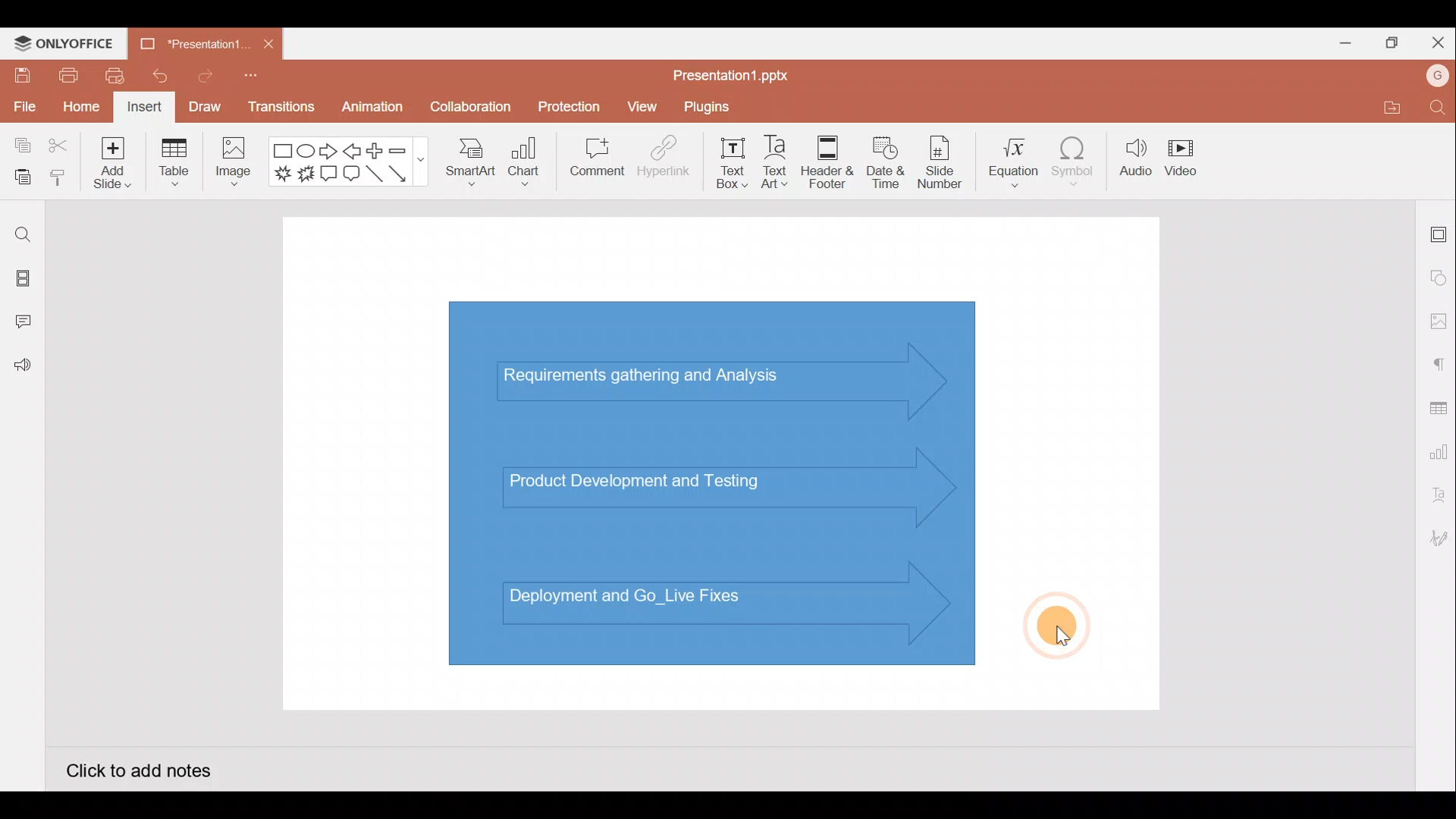  I want to click on Transitions, so click(282, 111).